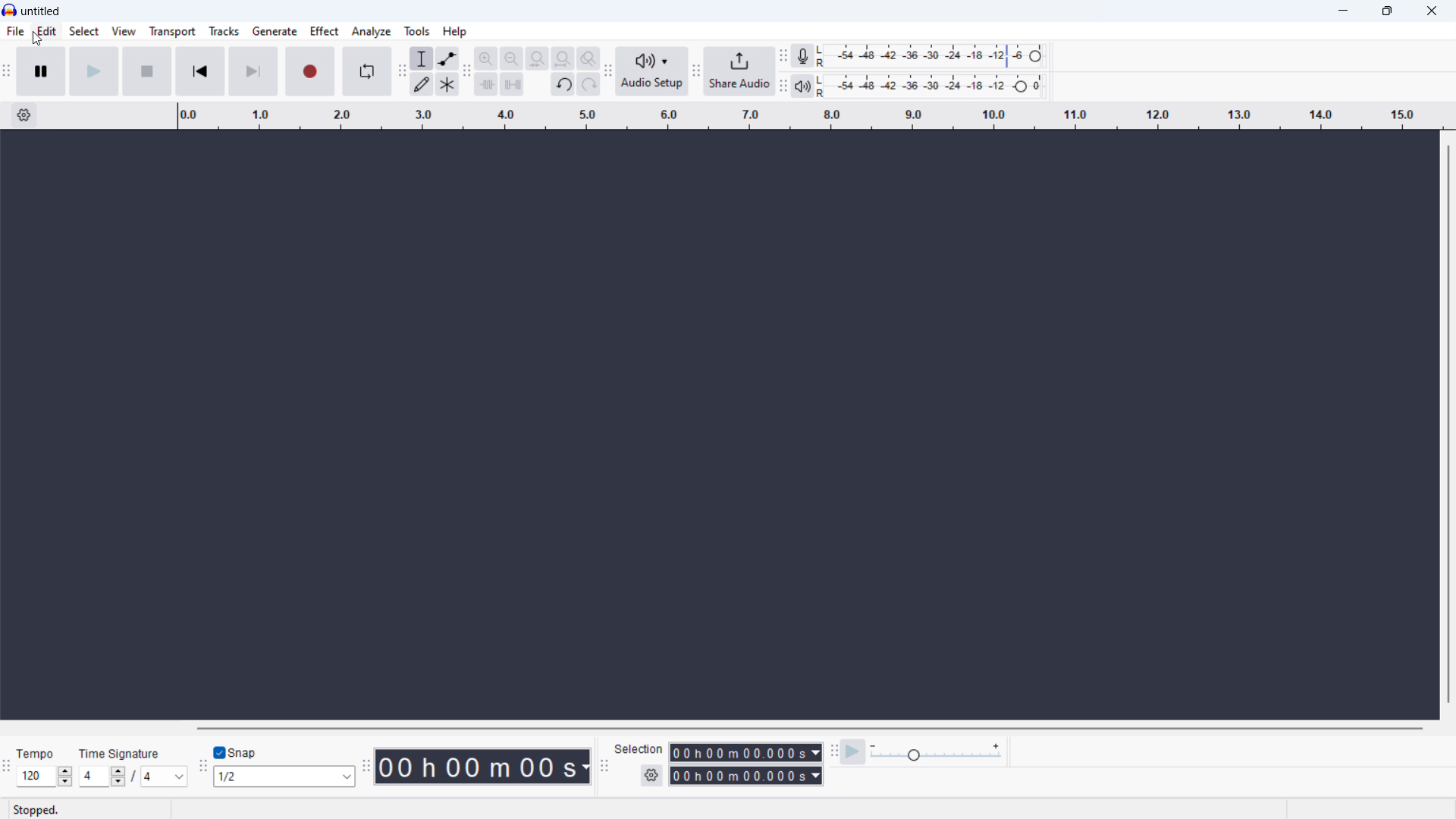 This screenshot has width=1456, height=819. I want to click on playback meter toolbar, so click(802, 86).